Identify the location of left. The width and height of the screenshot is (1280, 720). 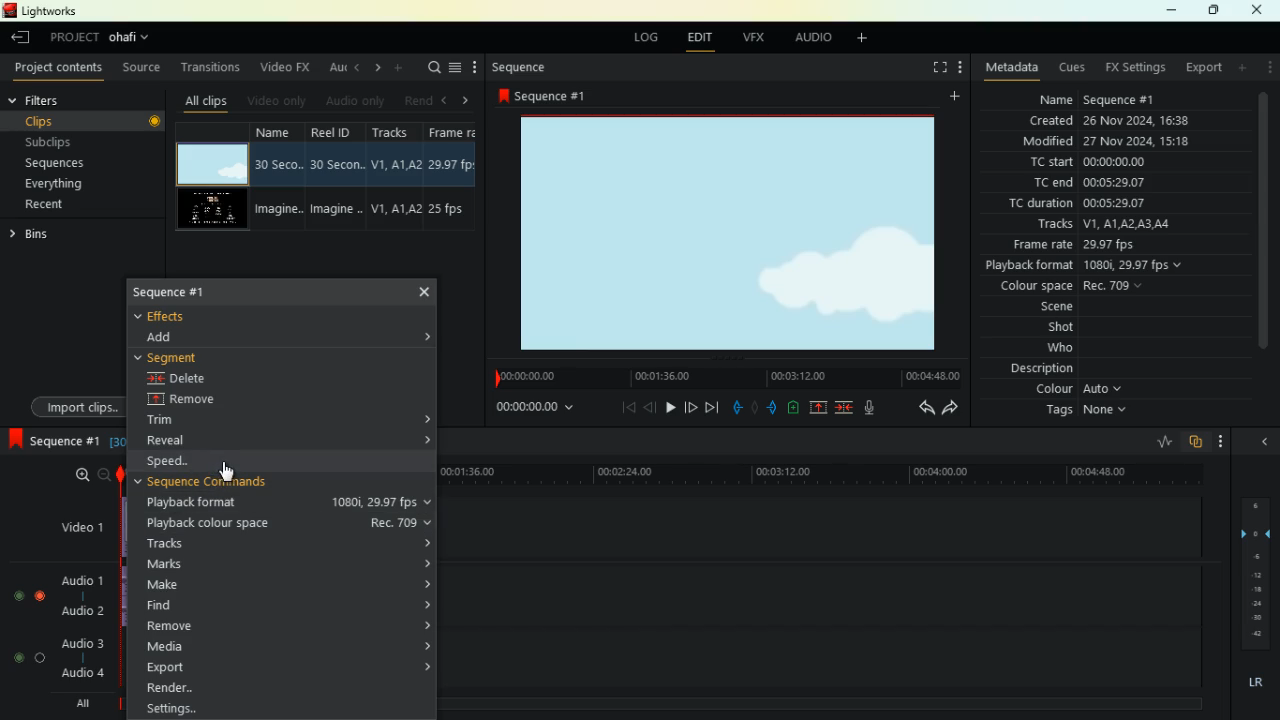
(358, 66).